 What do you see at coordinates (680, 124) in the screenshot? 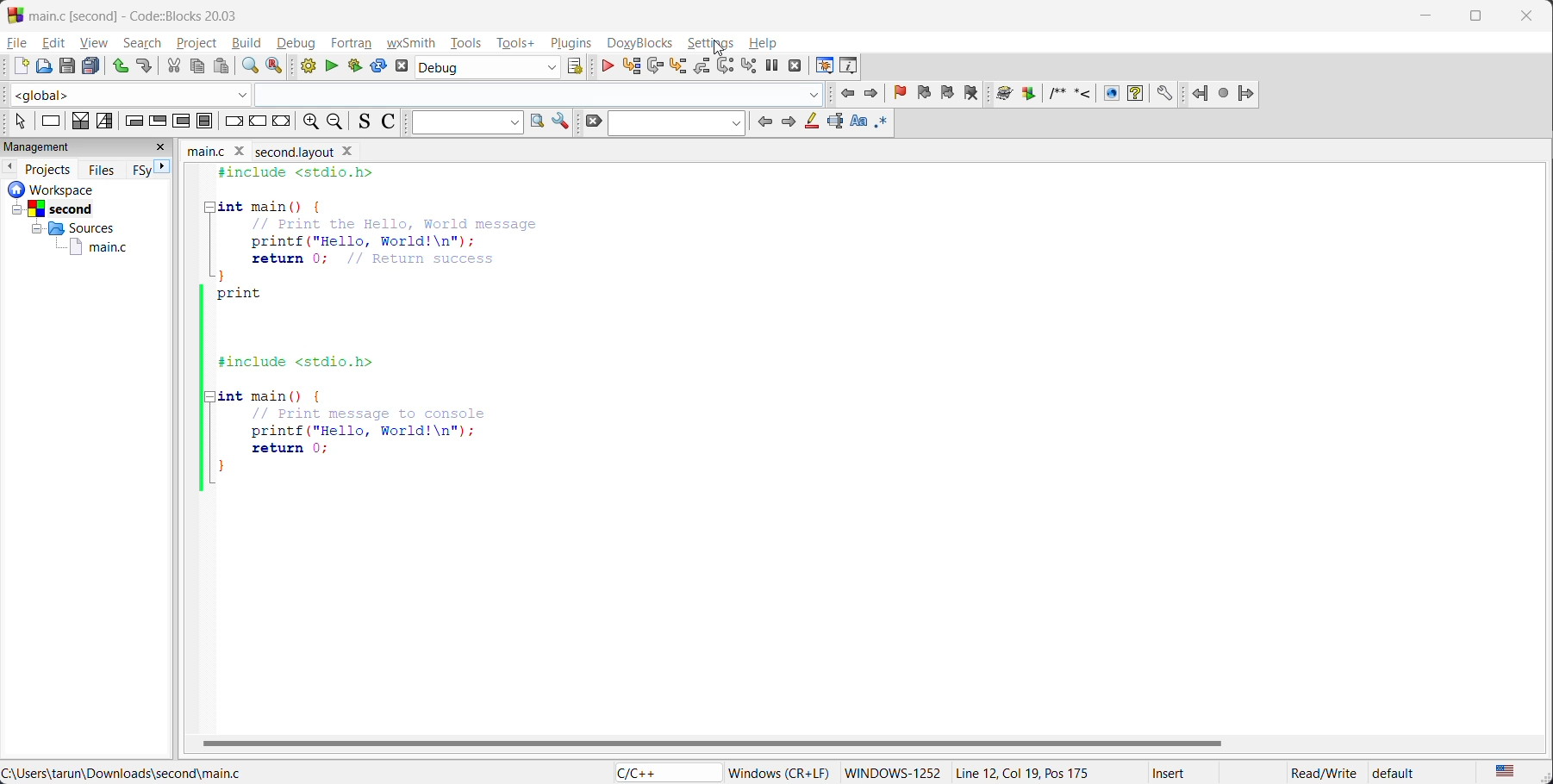
I see `search` at bounding box center [680, 124].